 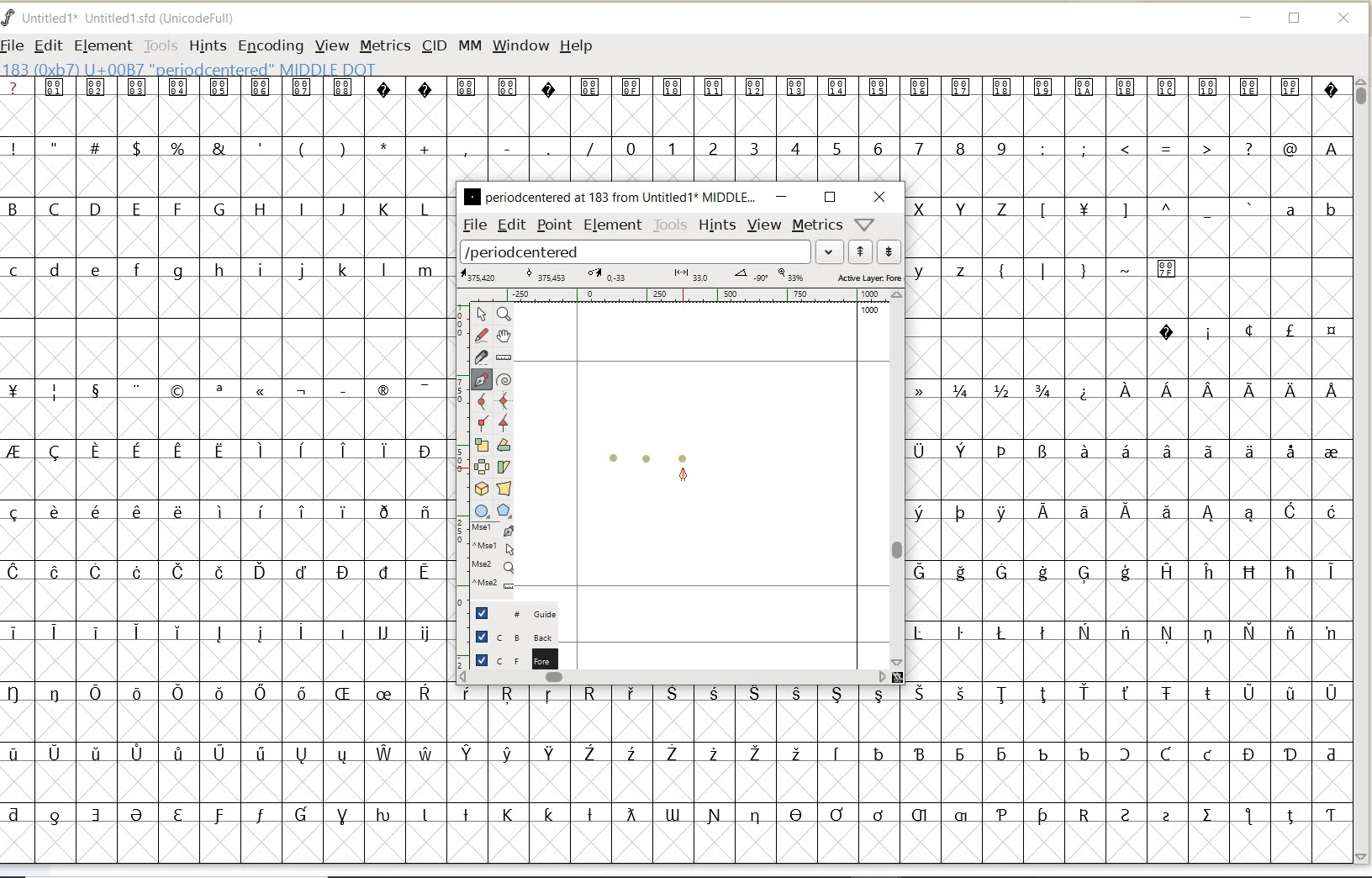 What do you see at coordinates (812, 147) in the screenshot?
I see `numbers` at bounding box center [812, 147].